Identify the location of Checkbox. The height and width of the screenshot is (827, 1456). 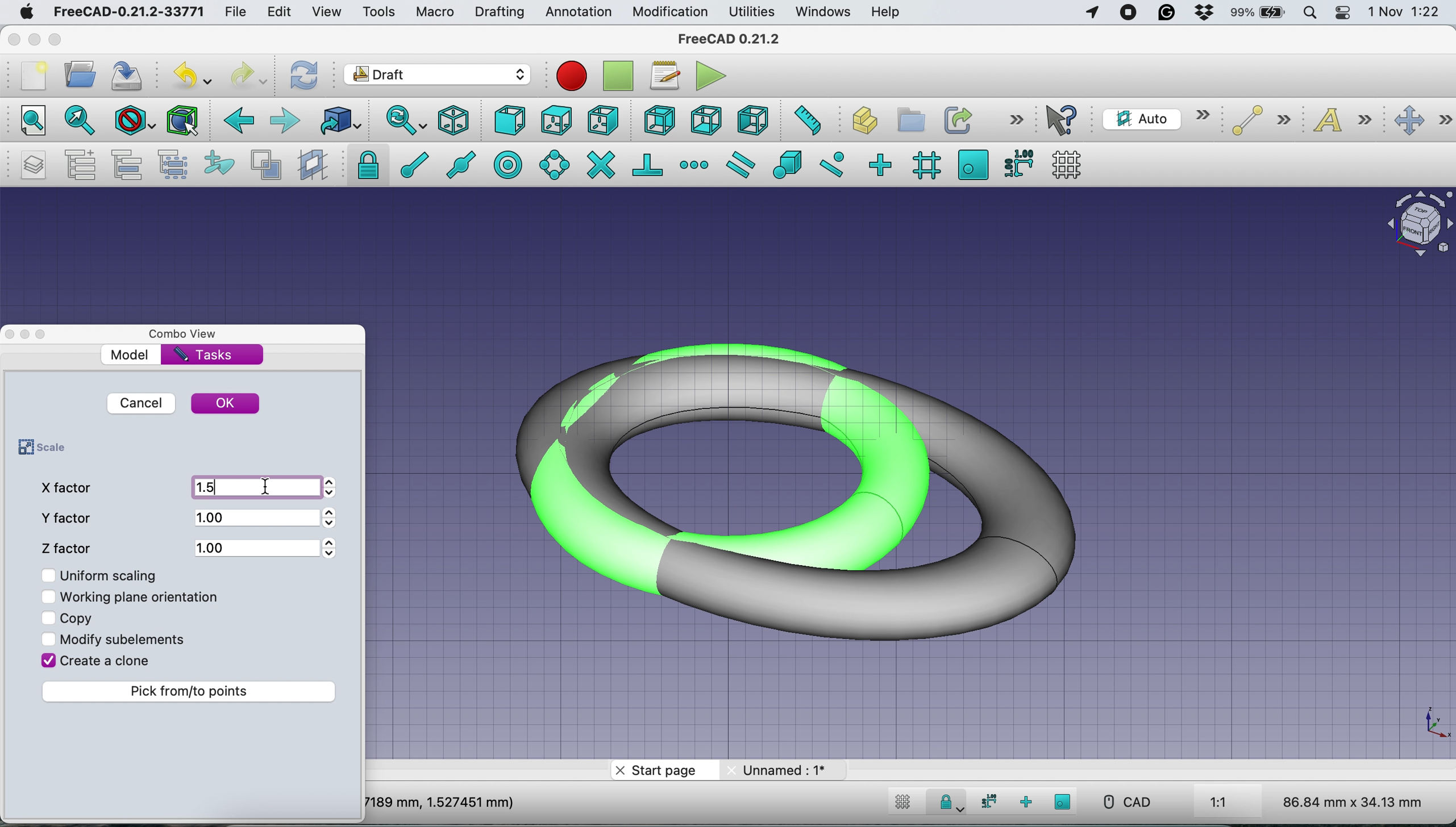
(48, 640).